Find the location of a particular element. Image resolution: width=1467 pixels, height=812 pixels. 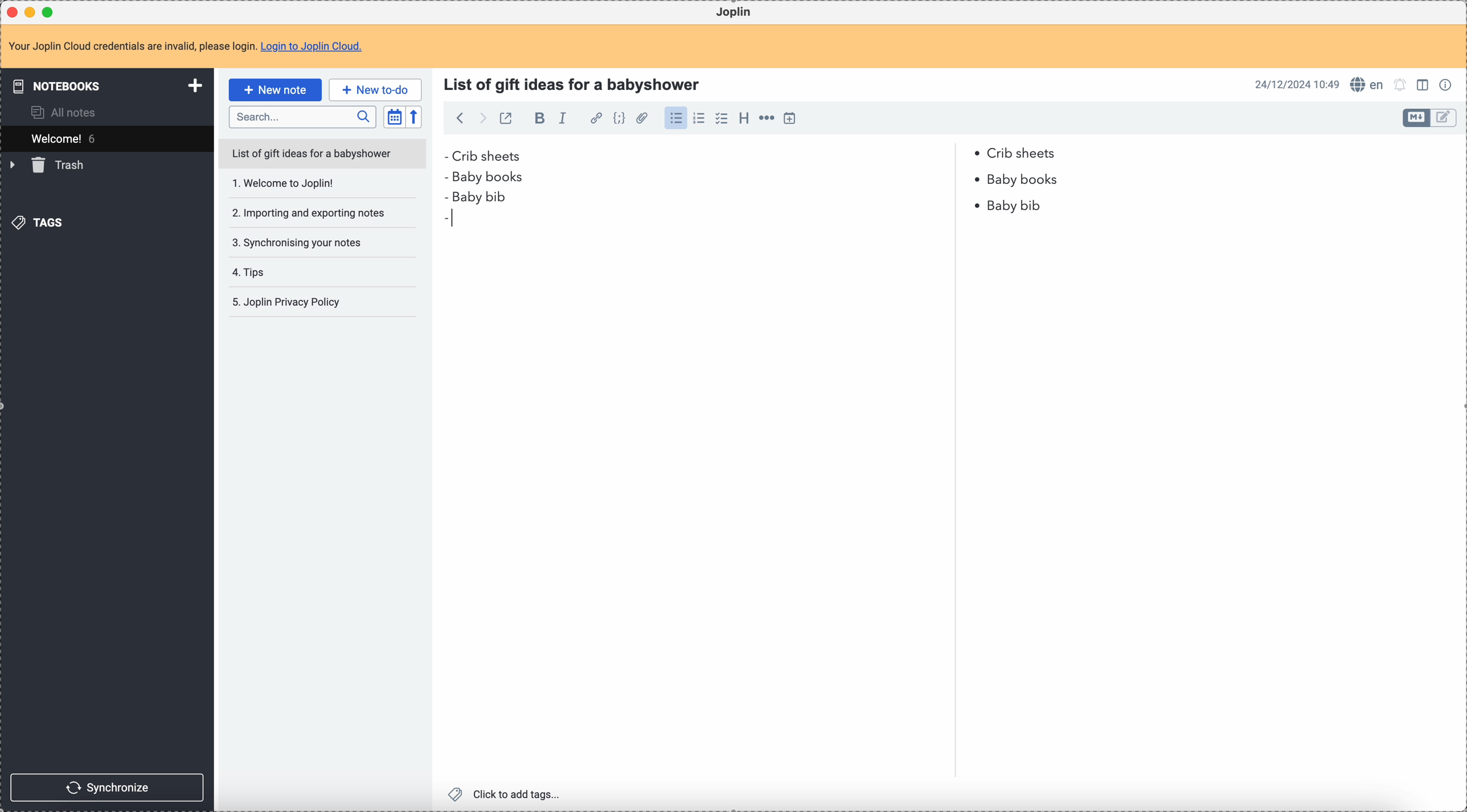

note is located at coordinates (185, 46).